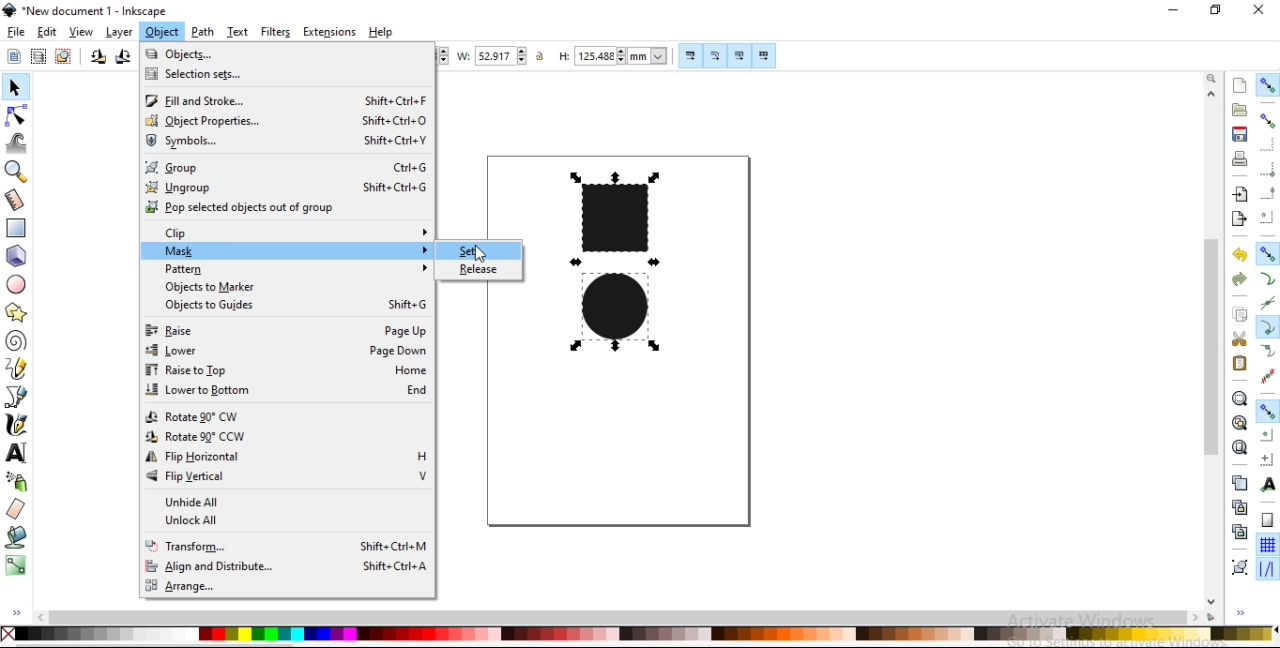 Image resolution: width=1280 pixels, height=648 pixels. I want to click on objects, so click(275, 54).